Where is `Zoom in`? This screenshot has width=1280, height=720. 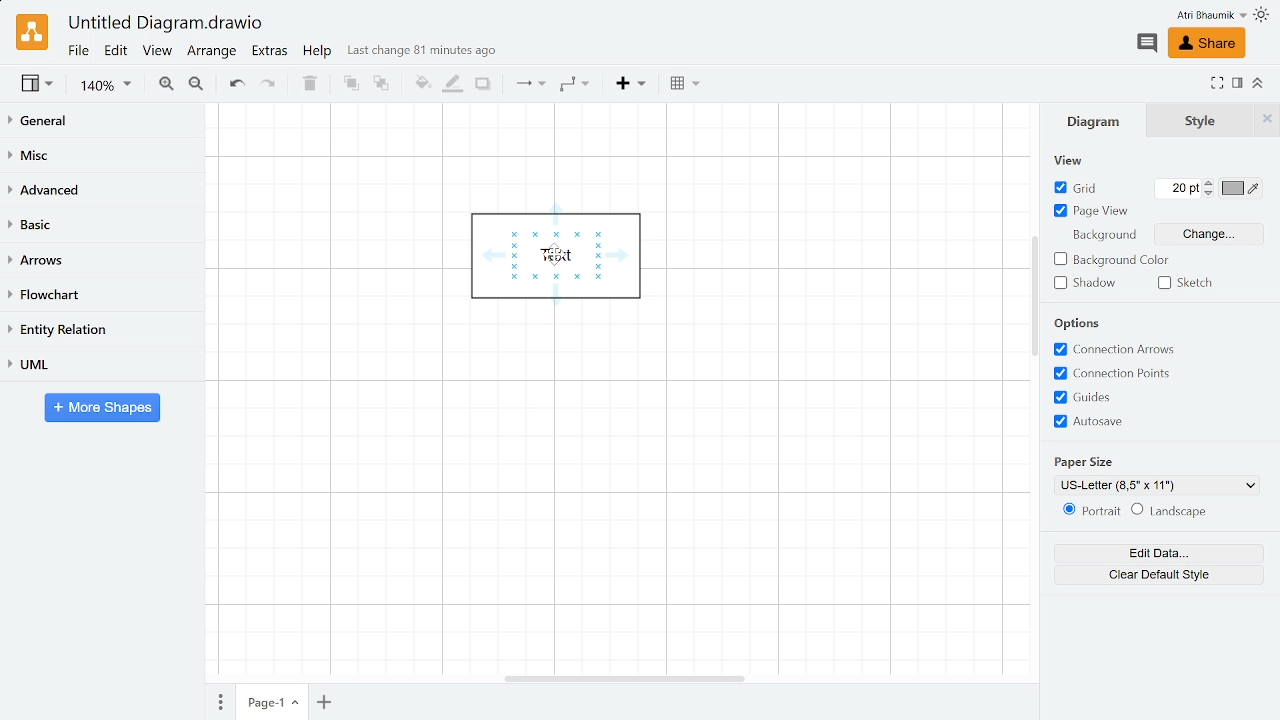 Zoom in is located at coordinates (166, 86).